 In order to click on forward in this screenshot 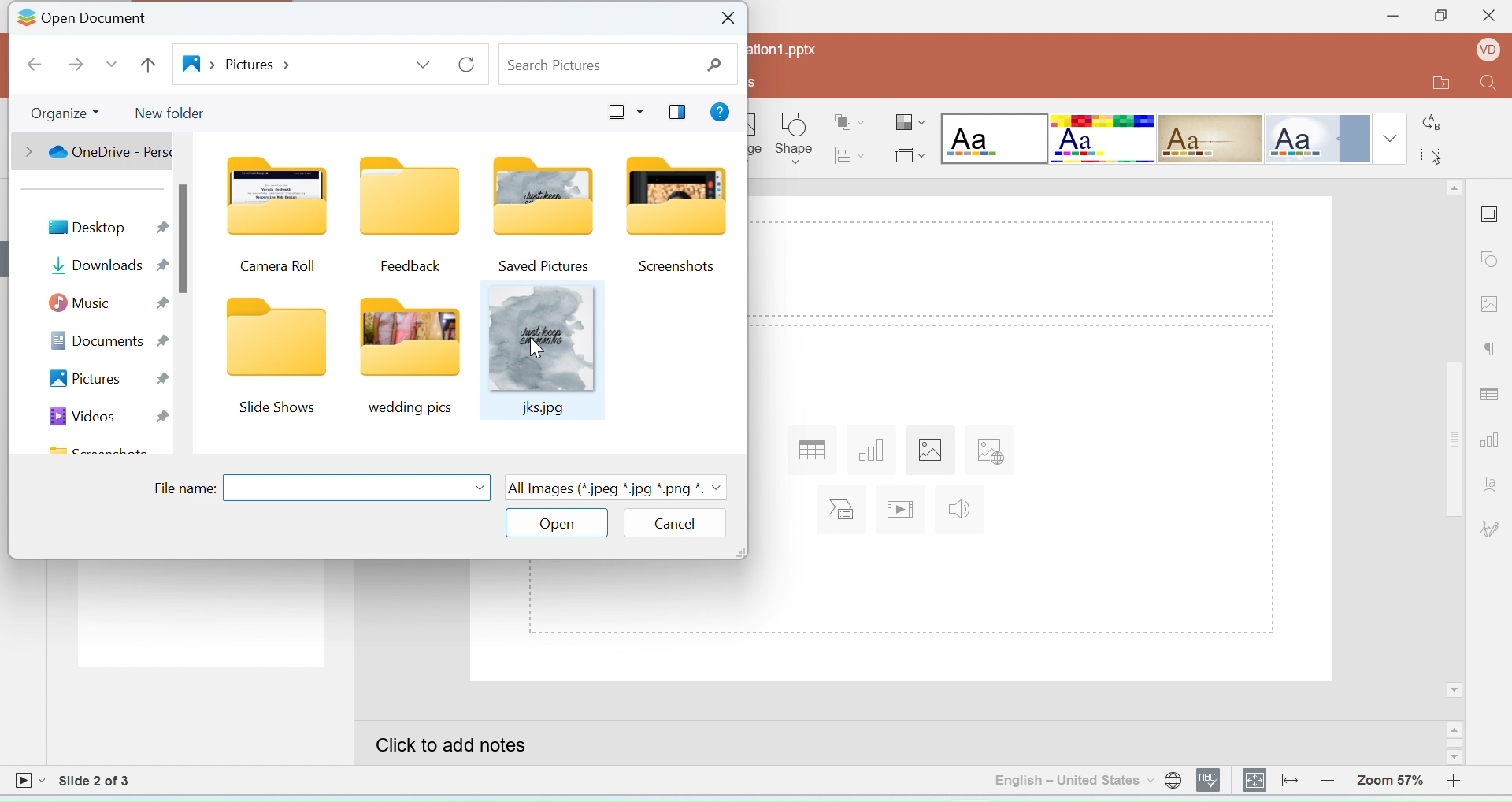, I will do `click(73, 65)`.